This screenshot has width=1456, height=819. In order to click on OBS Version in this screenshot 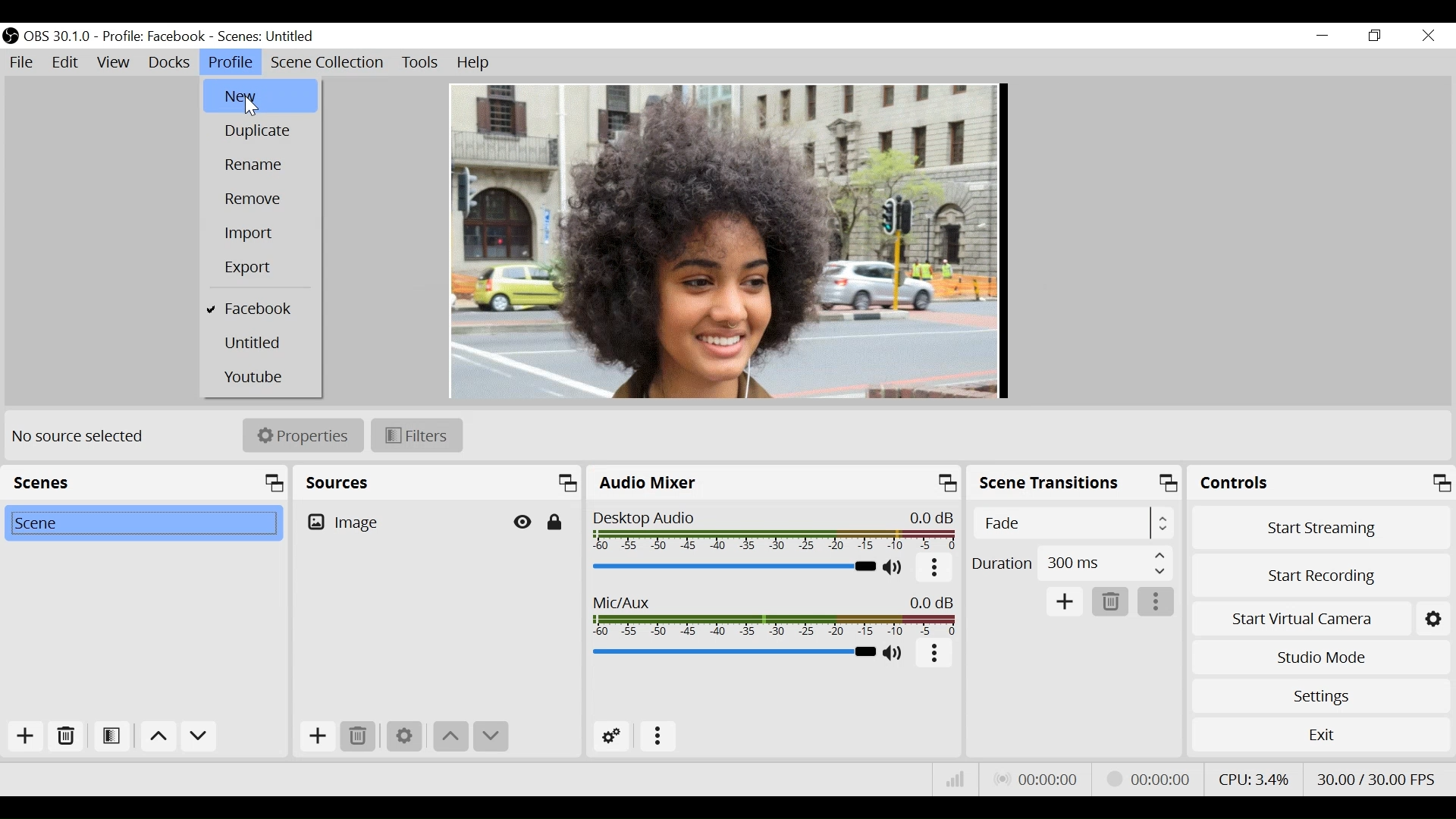, I will do `click(58, 36)`.